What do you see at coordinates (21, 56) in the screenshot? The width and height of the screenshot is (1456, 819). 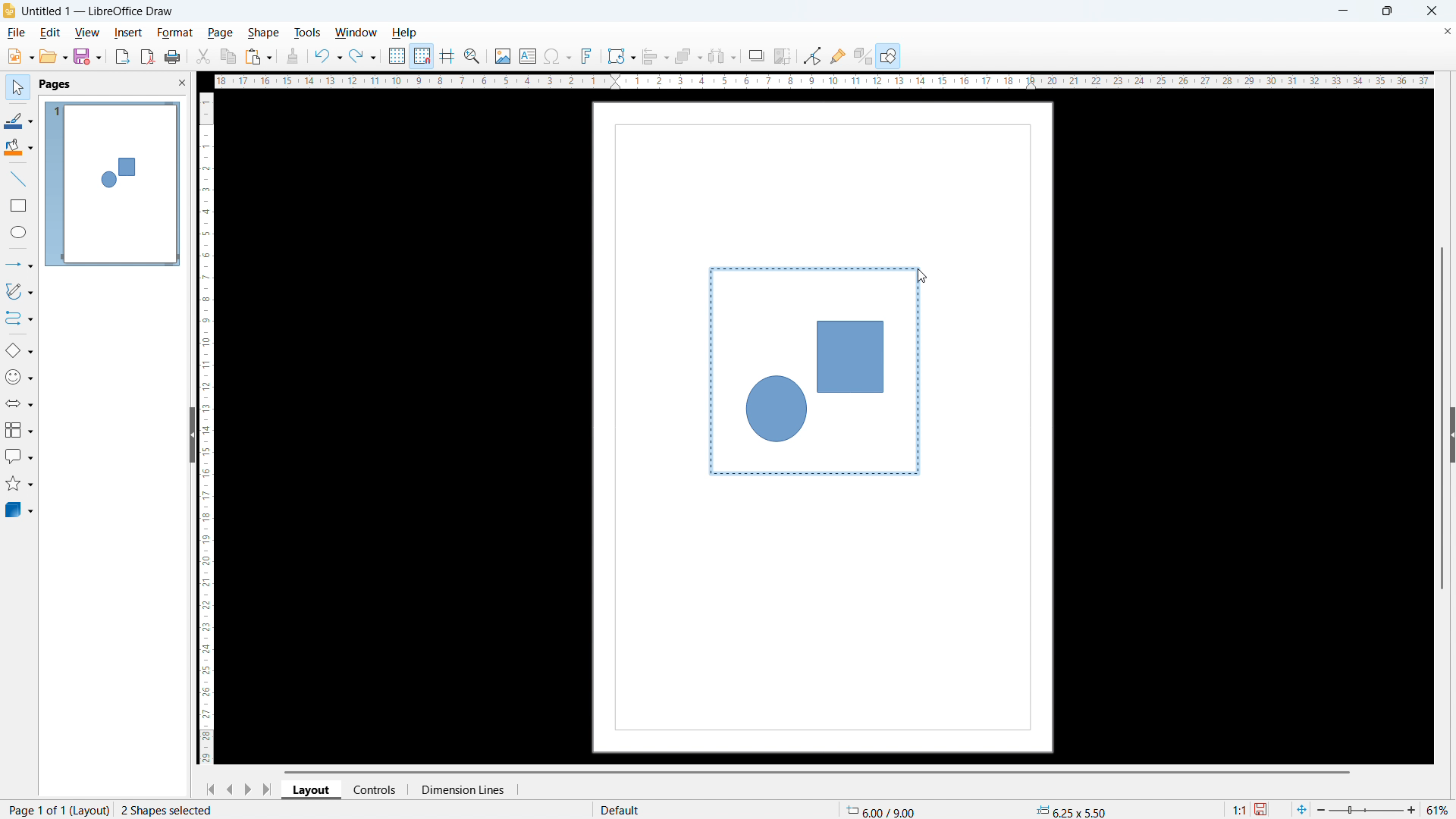 I see `new` at bounding box center [21, 56].